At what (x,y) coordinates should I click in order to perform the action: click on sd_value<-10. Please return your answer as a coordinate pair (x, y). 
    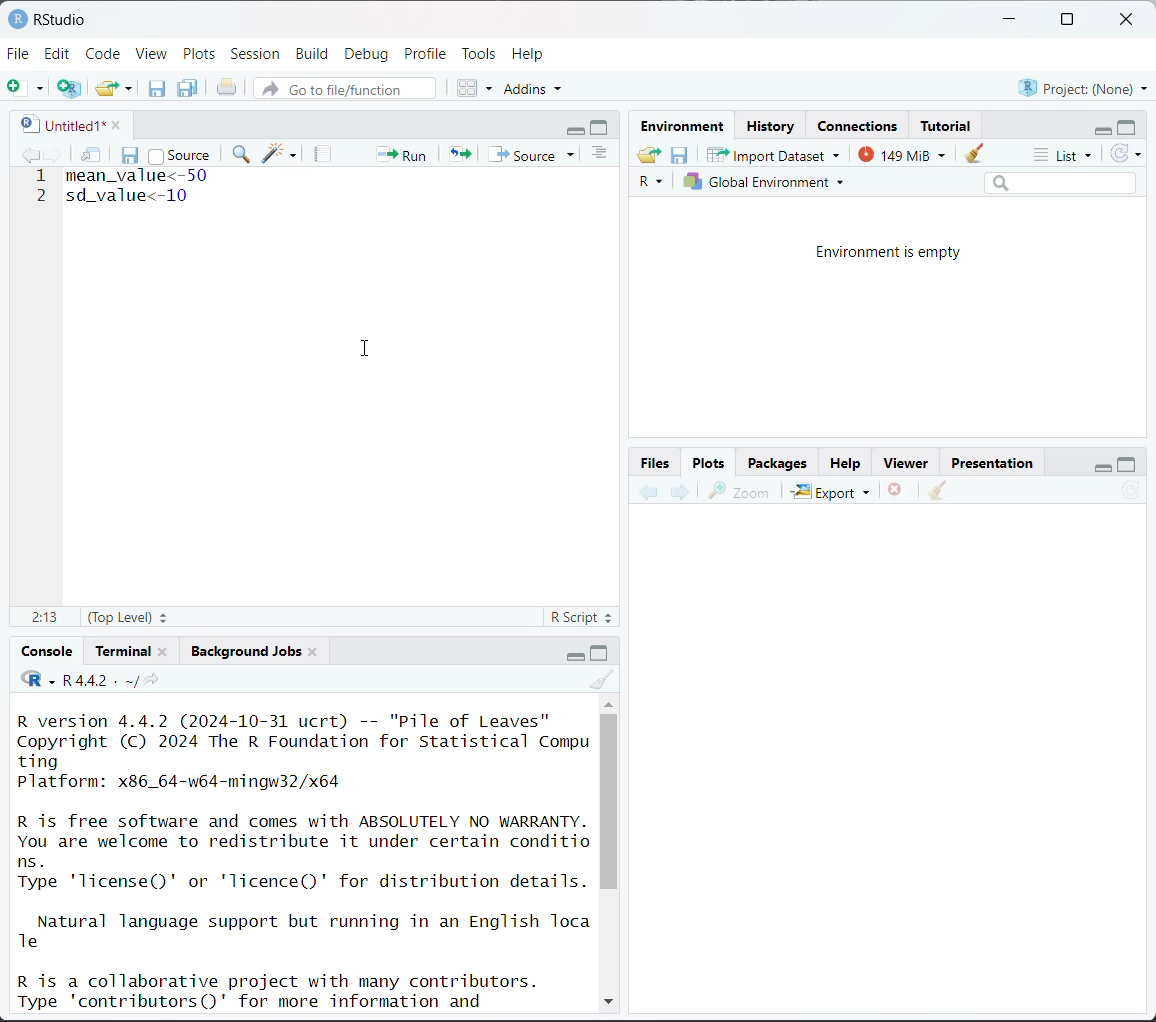
    Looking at the image, I should click on (133, 200).